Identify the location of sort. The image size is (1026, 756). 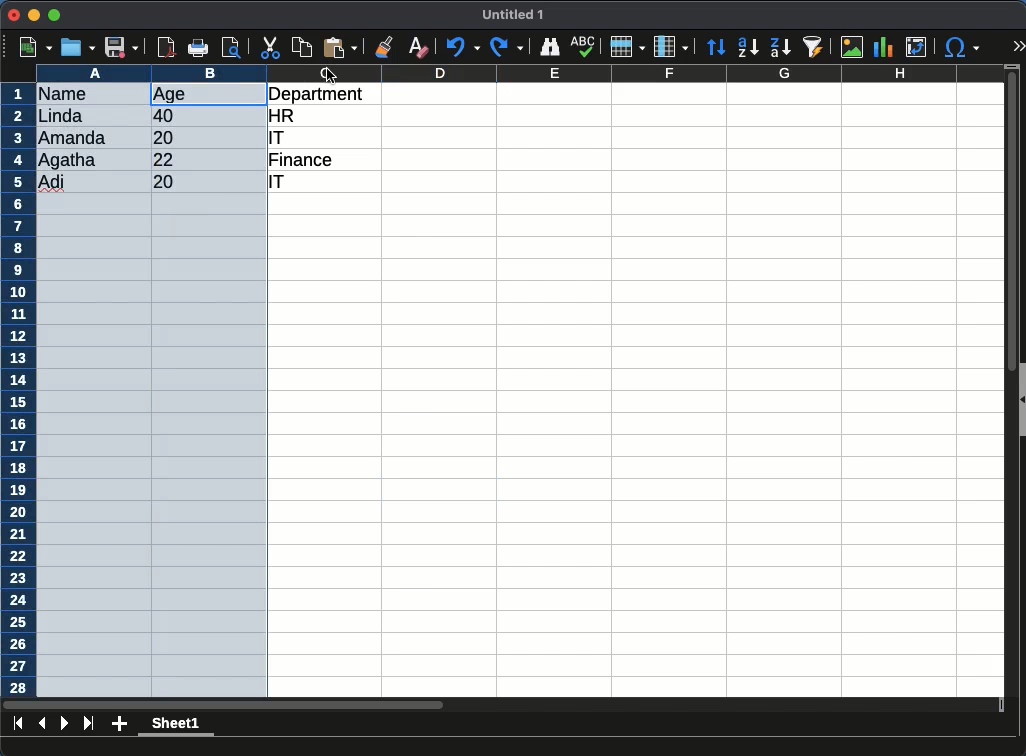
(718, 47).